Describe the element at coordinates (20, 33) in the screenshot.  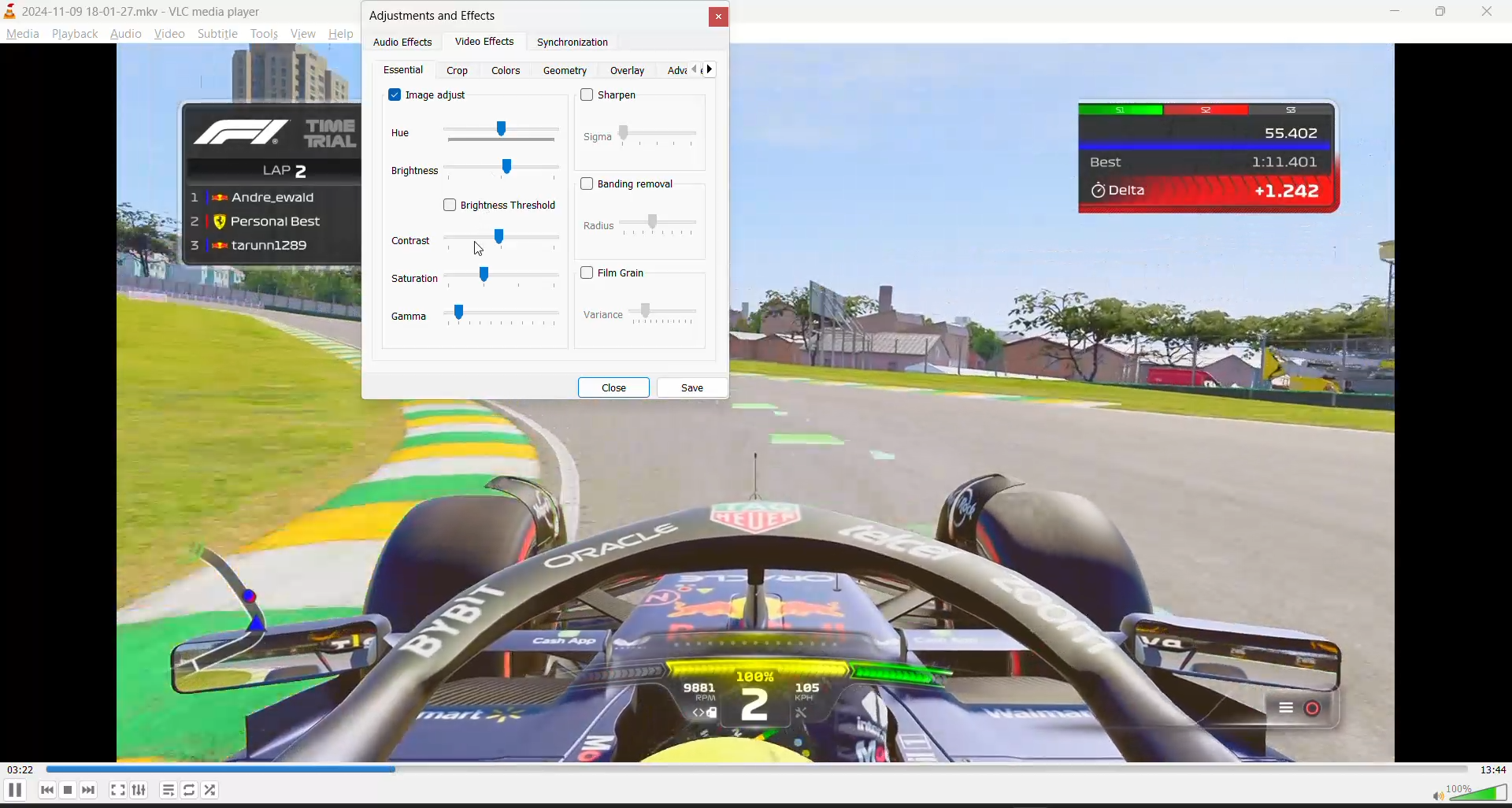
I see `media` at that location.